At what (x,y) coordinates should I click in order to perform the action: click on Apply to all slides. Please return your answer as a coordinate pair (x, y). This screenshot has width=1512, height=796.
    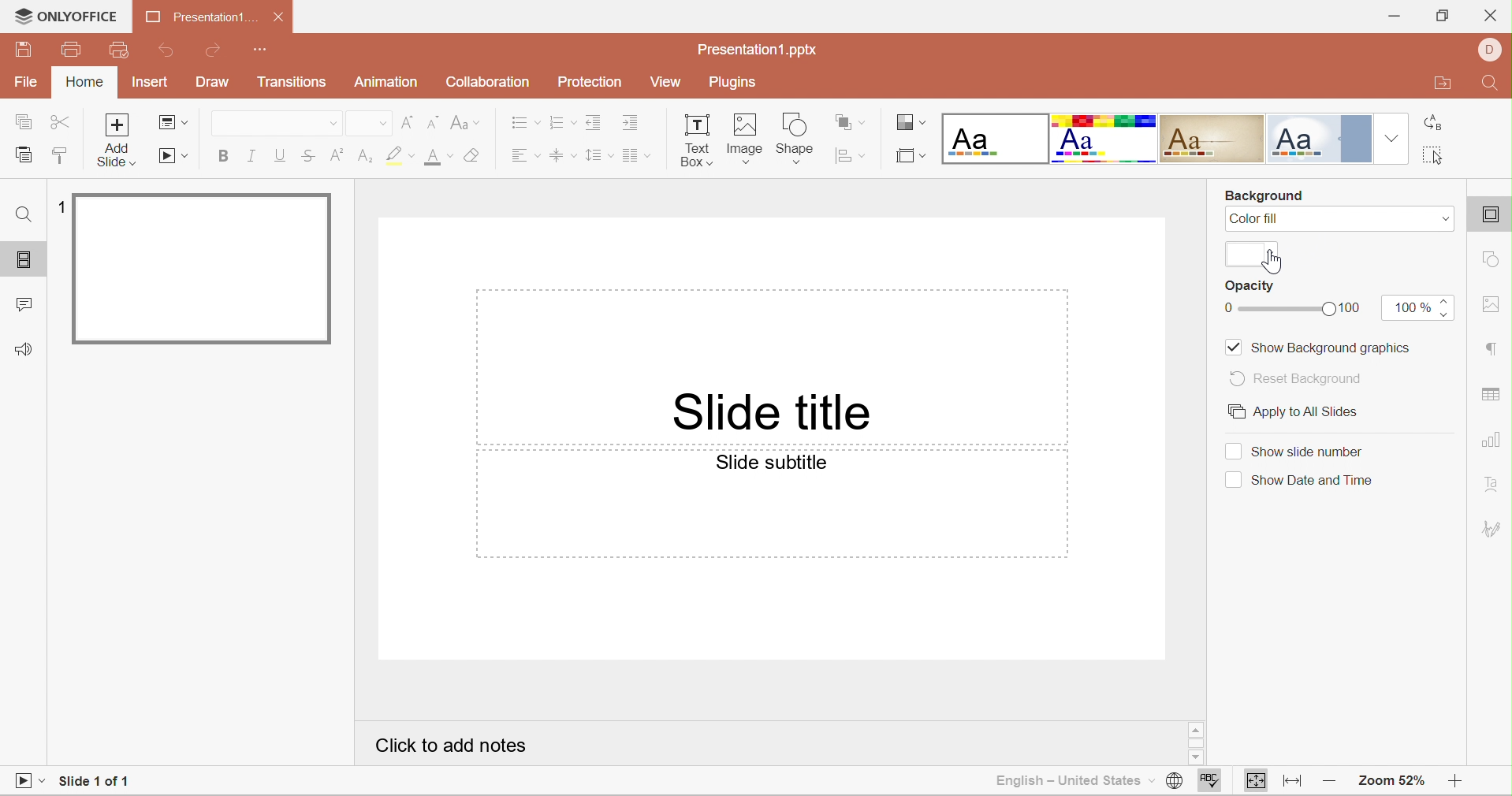
    Looking at the image, I should click on (1294, 411).